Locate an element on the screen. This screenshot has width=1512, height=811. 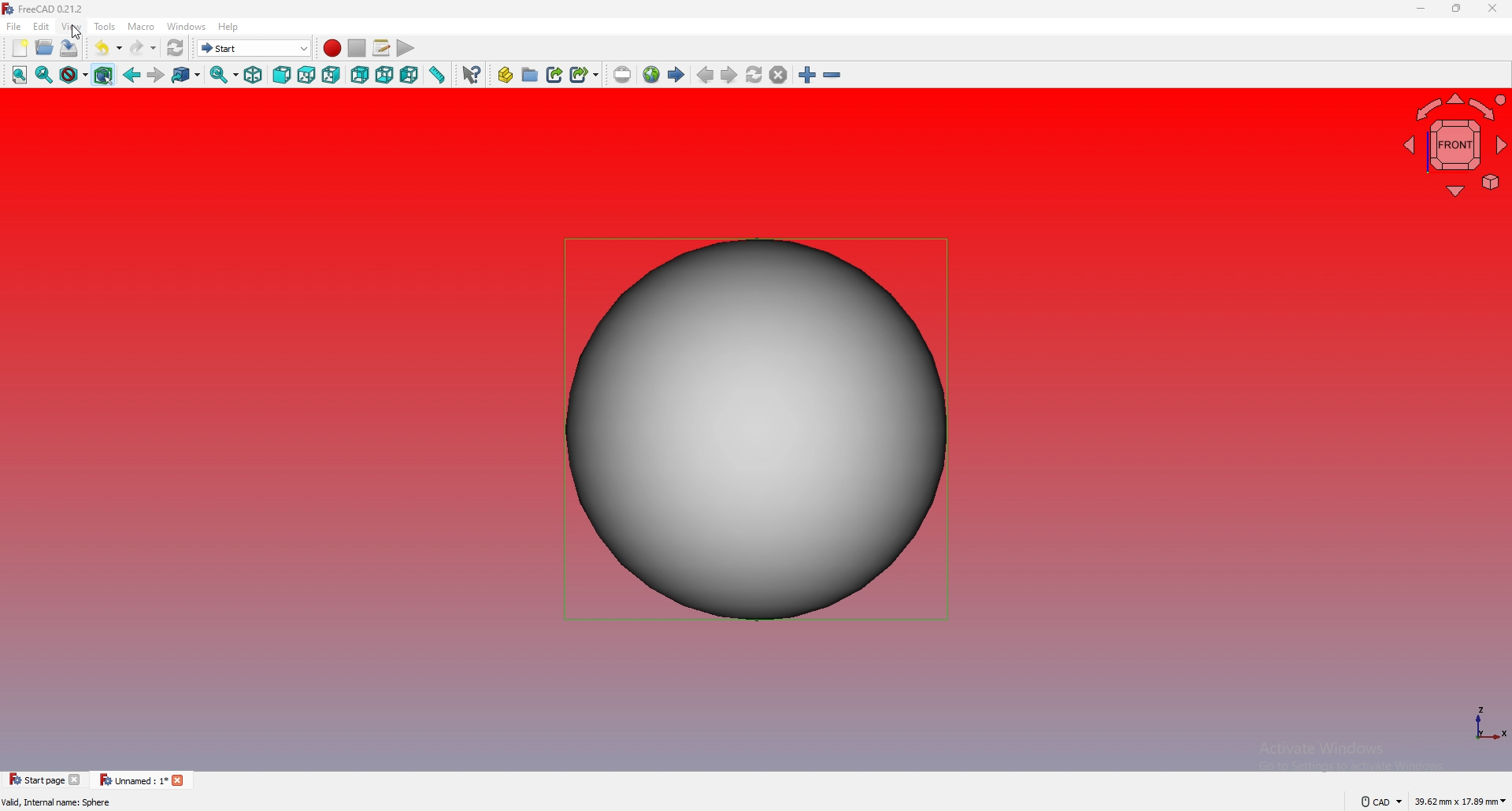
stop macro is located at coordinates (357, 47).